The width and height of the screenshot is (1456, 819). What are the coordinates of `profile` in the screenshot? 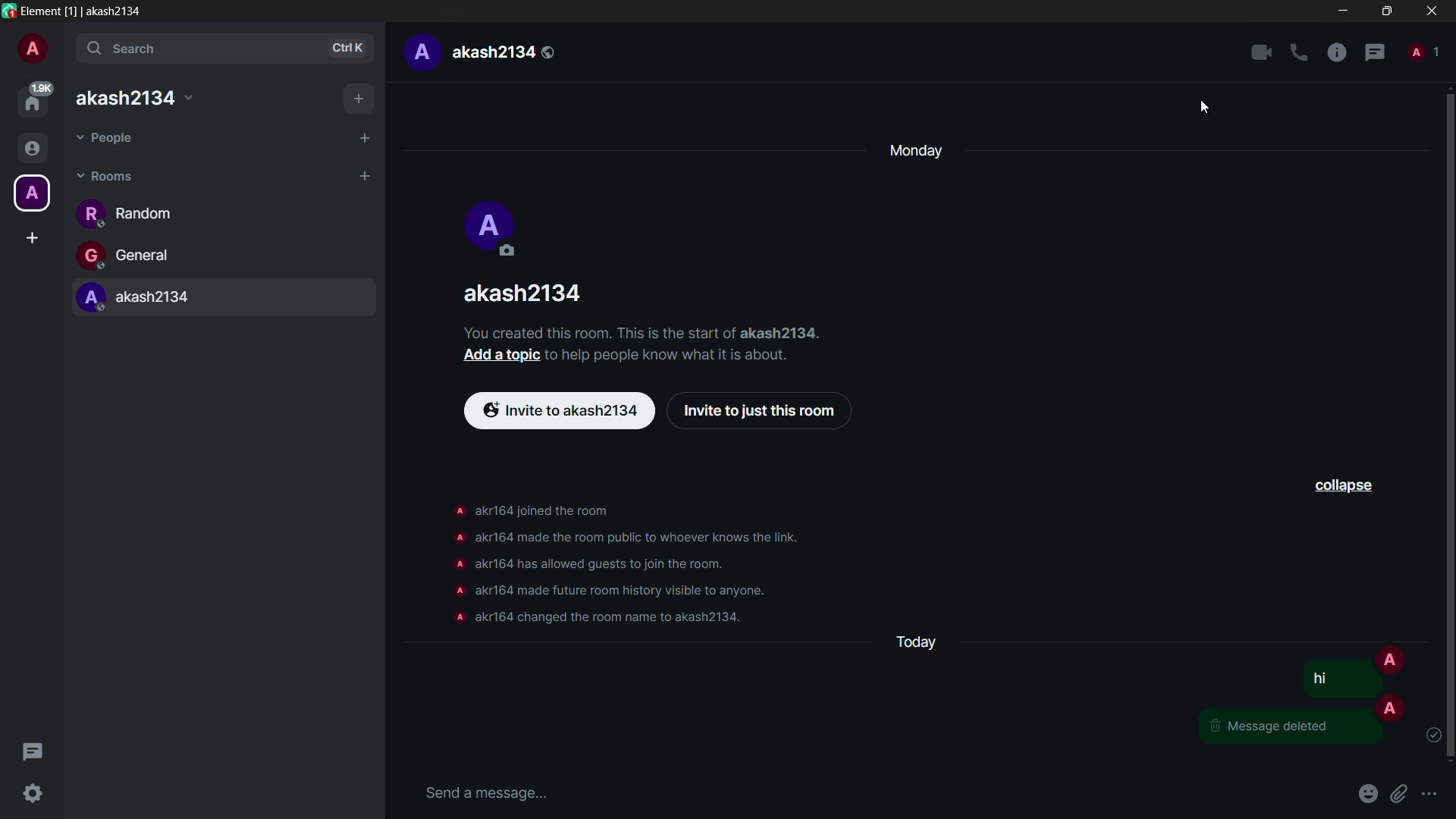 It's located at (420, 52).